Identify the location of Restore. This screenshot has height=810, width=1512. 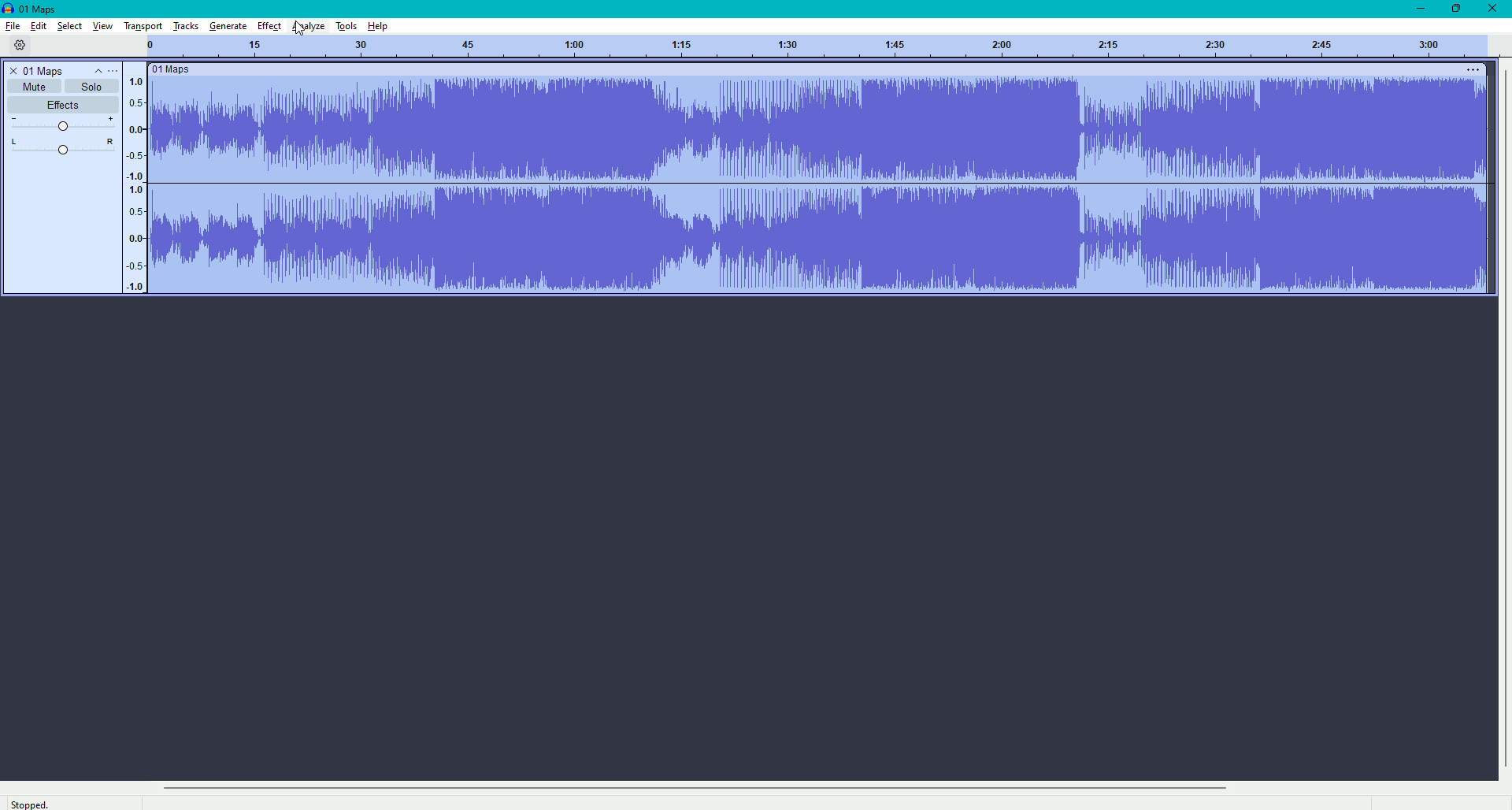
(1452, 9).